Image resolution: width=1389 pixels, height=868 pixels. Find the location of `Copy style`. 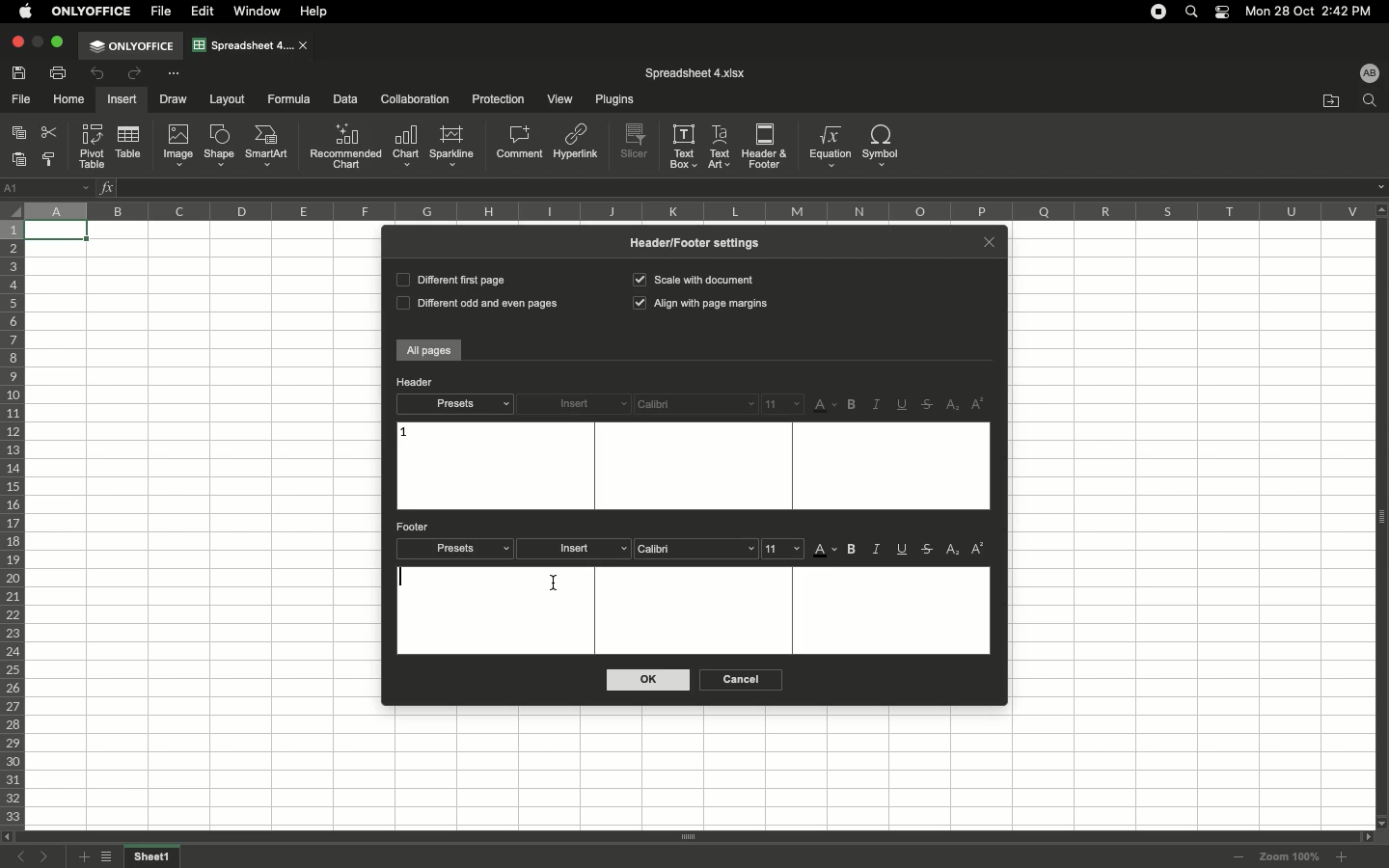

Copy style is located at coordinates (51, 160).